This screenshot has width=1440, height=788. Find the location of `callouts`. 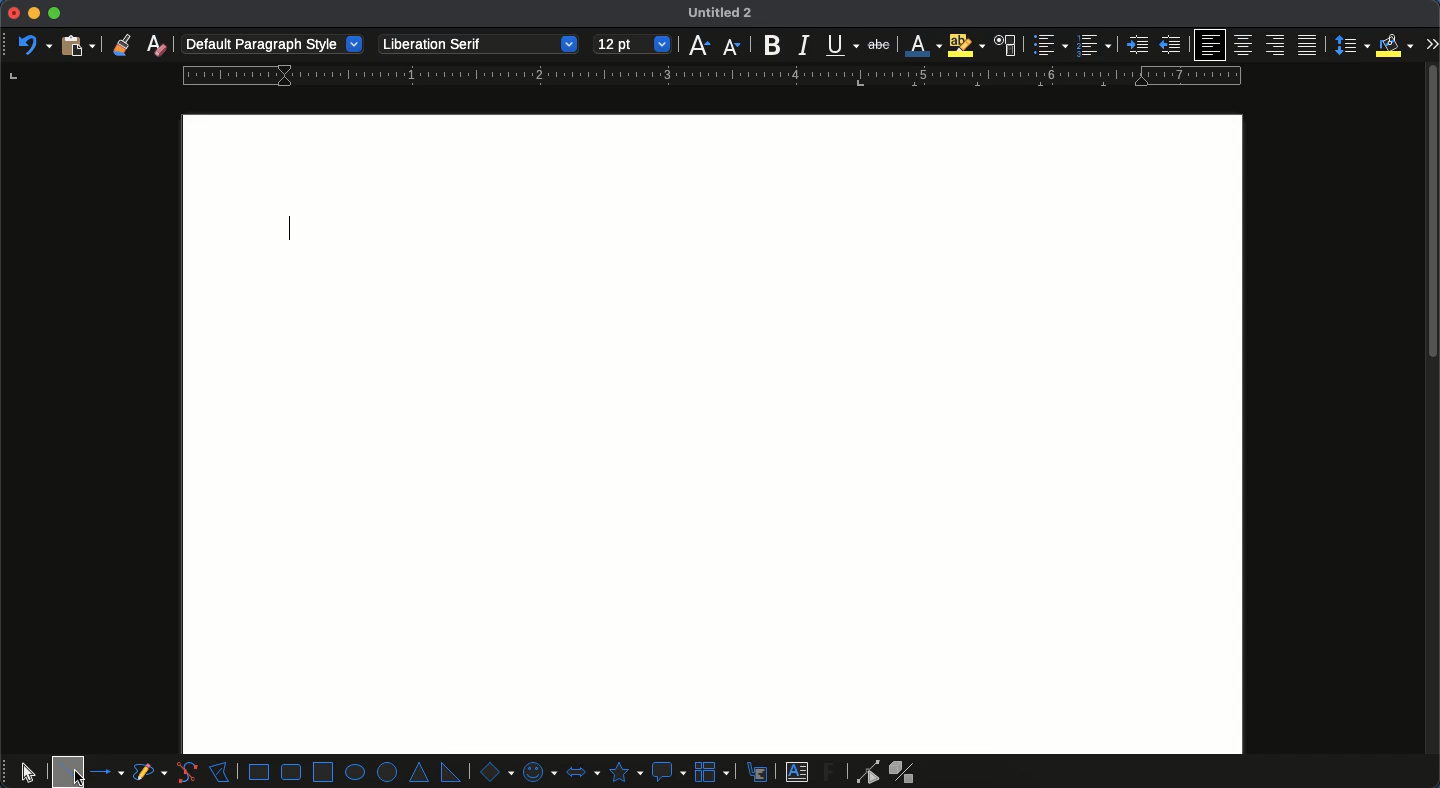

callouts is located at coordinates (759, 771).